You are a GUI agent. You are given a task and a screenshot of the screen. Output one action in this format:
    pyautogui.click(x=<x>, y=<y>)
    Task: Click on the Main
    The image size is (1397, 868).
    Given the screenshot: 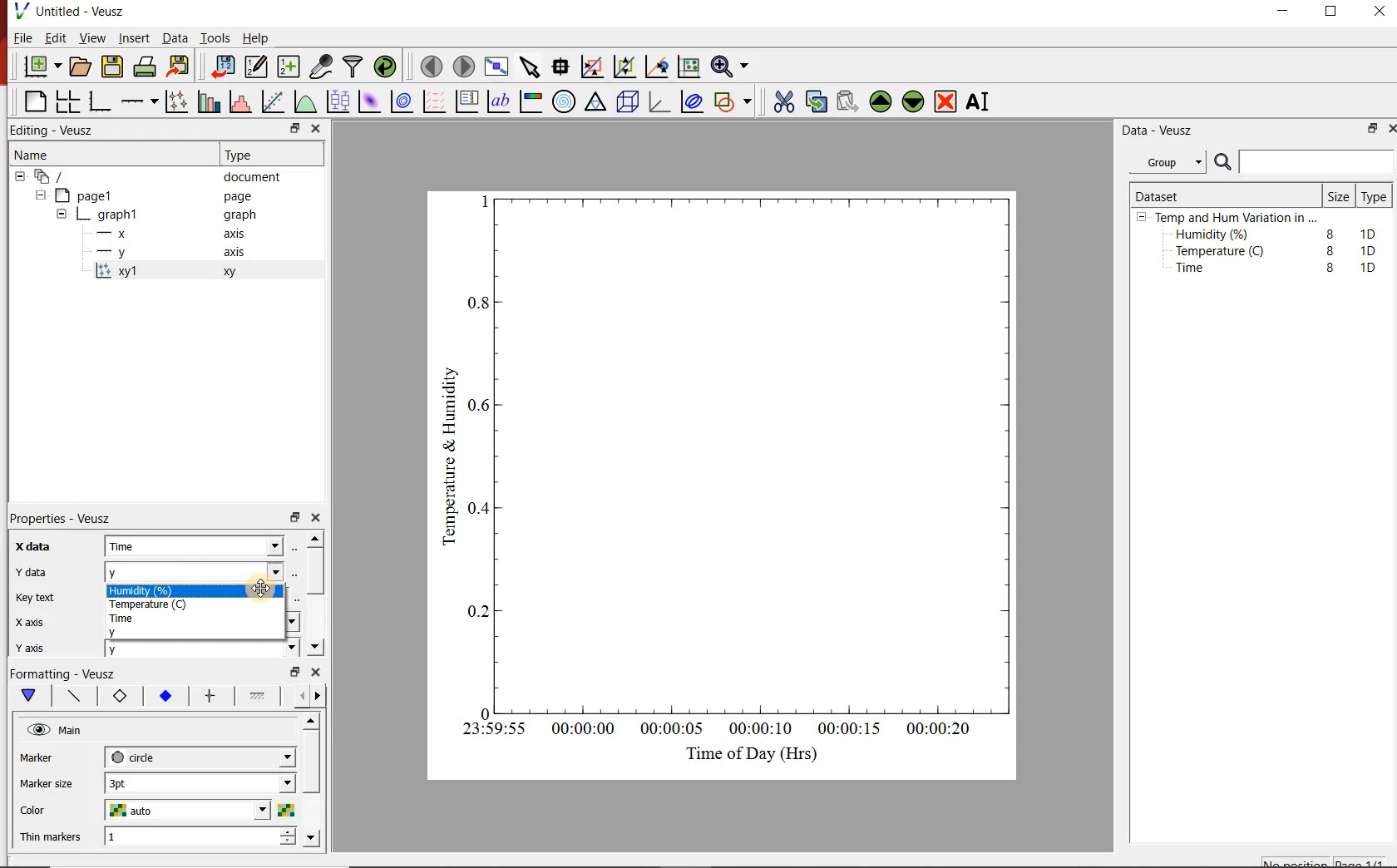 What is the action you would take?
    pyautogui.click(x=82, y=732)
    